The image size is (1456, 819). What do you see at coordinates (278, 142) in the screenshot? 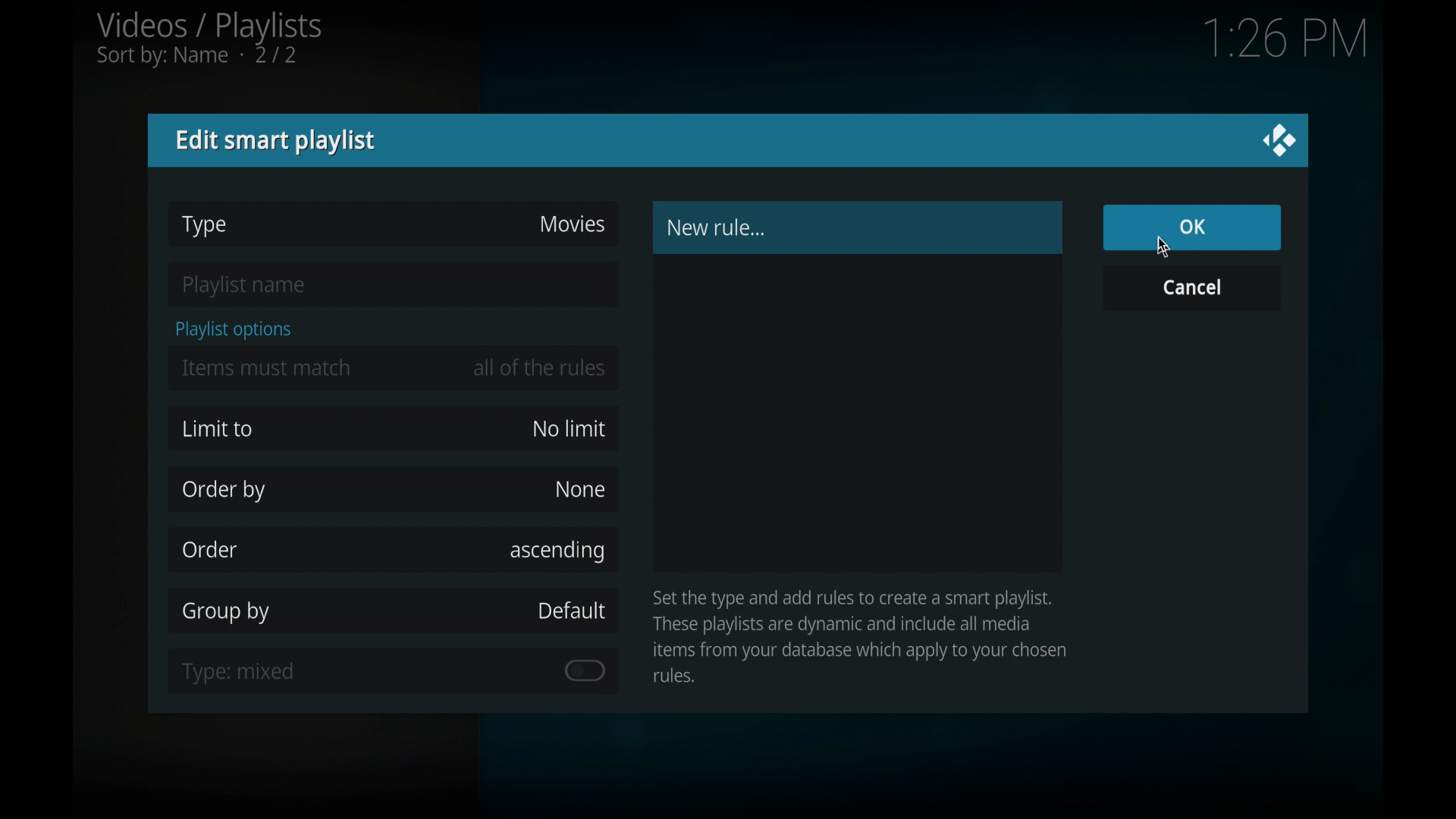
I see `edit smart playlist` at bounding box center [278, 142].